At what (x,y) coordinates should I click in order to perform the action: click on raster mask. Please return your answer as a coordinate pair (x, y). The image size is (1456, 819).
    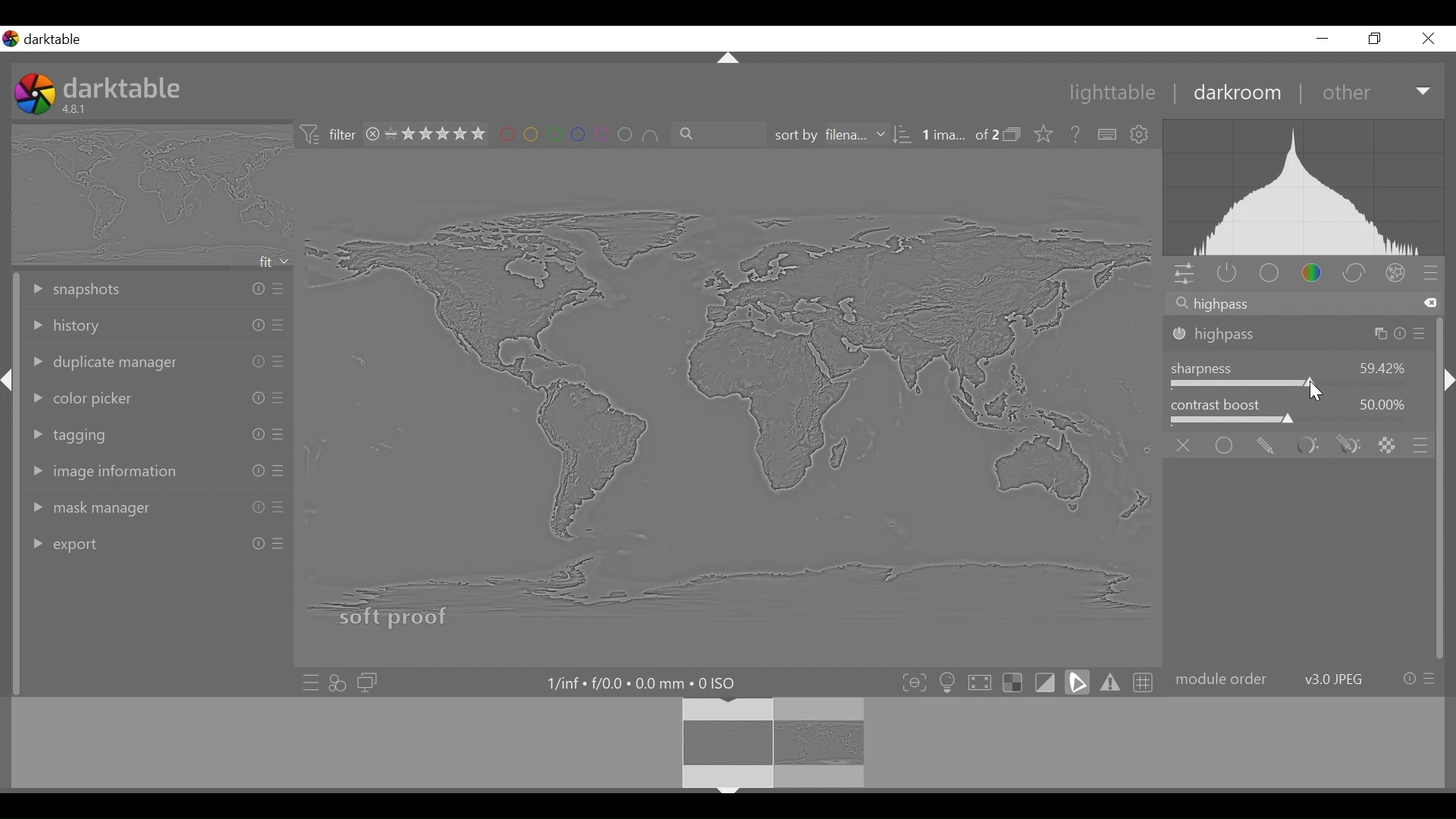
    Looking at the image, I should click on (1386, 444).